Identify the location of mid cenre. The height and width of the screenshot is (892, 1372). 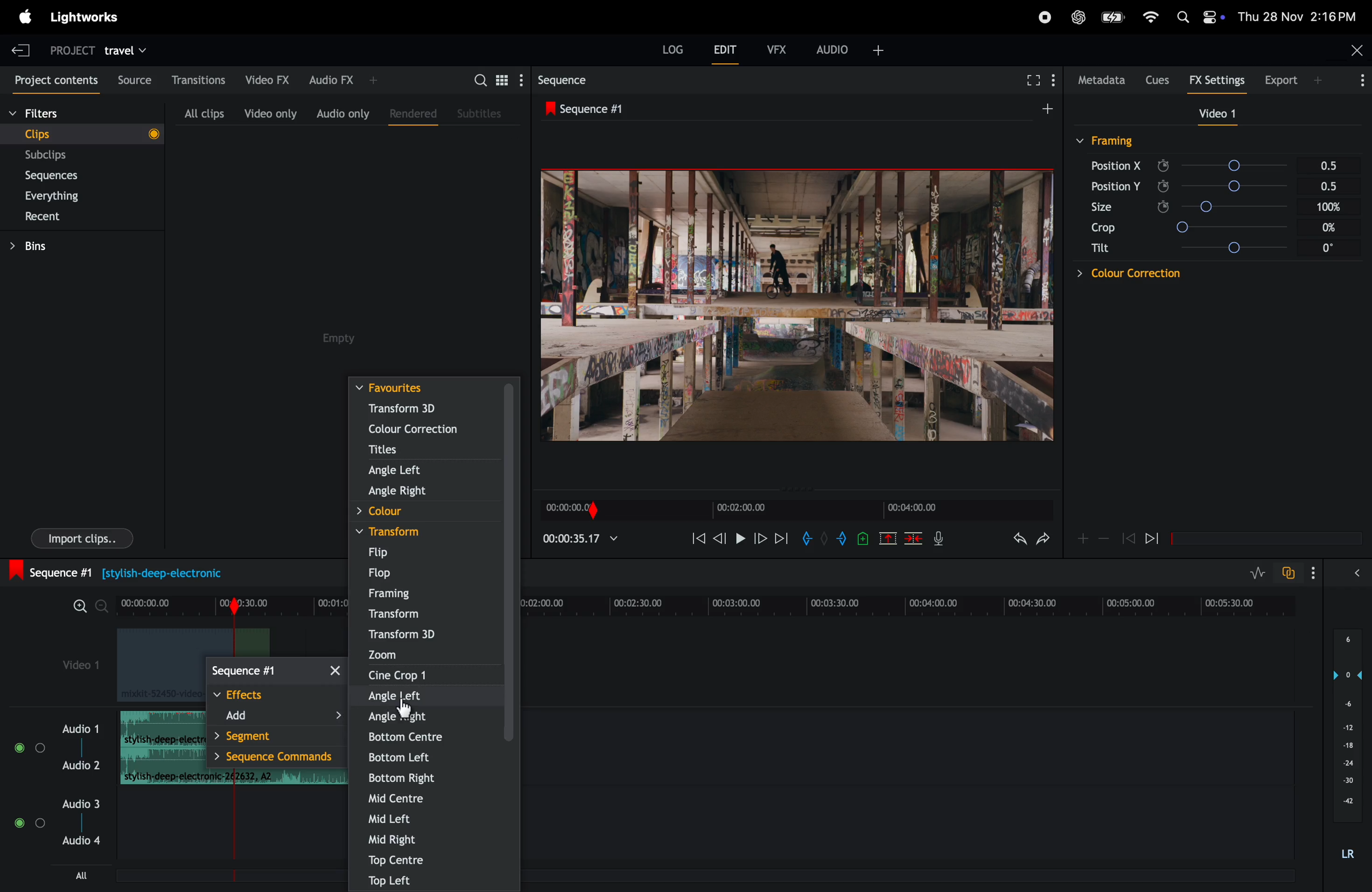
(429, 800).